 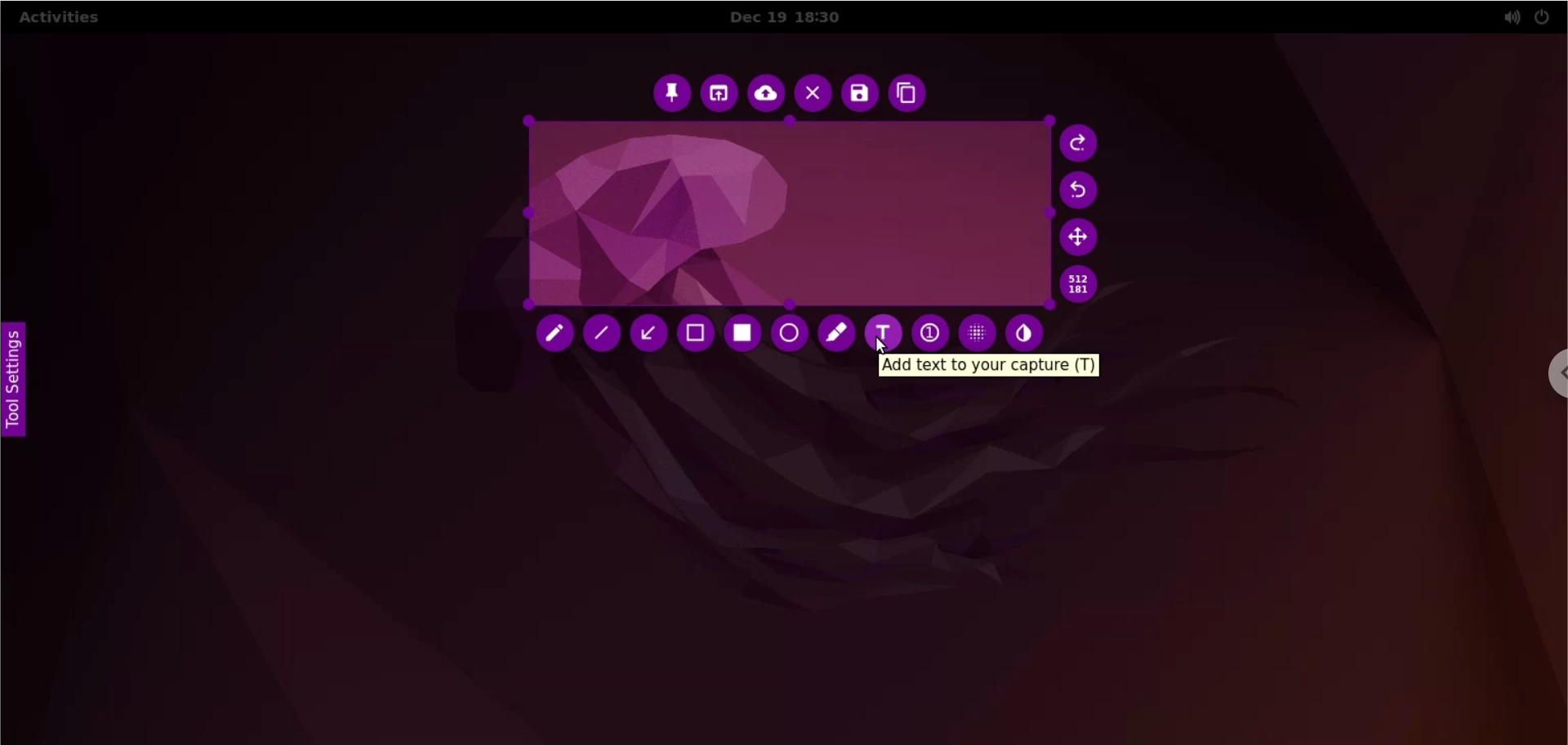 What do you see at coordinates (1081, 145) in the screenshot?
I see `redo` at bounding box center [1081, 145].